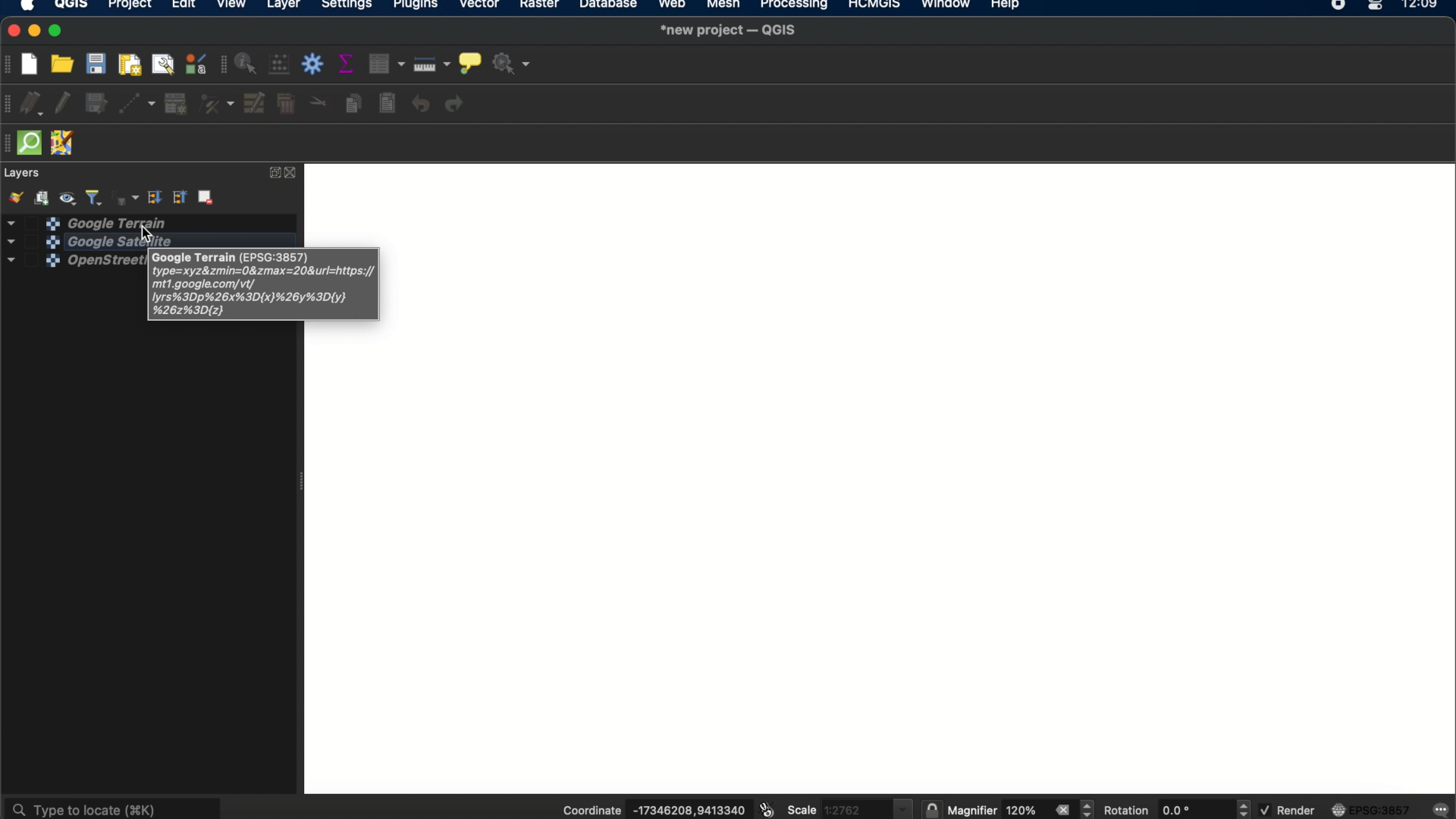 The image size is (1456, 819). I want to click on filter legend by expression, so click(124, 196).